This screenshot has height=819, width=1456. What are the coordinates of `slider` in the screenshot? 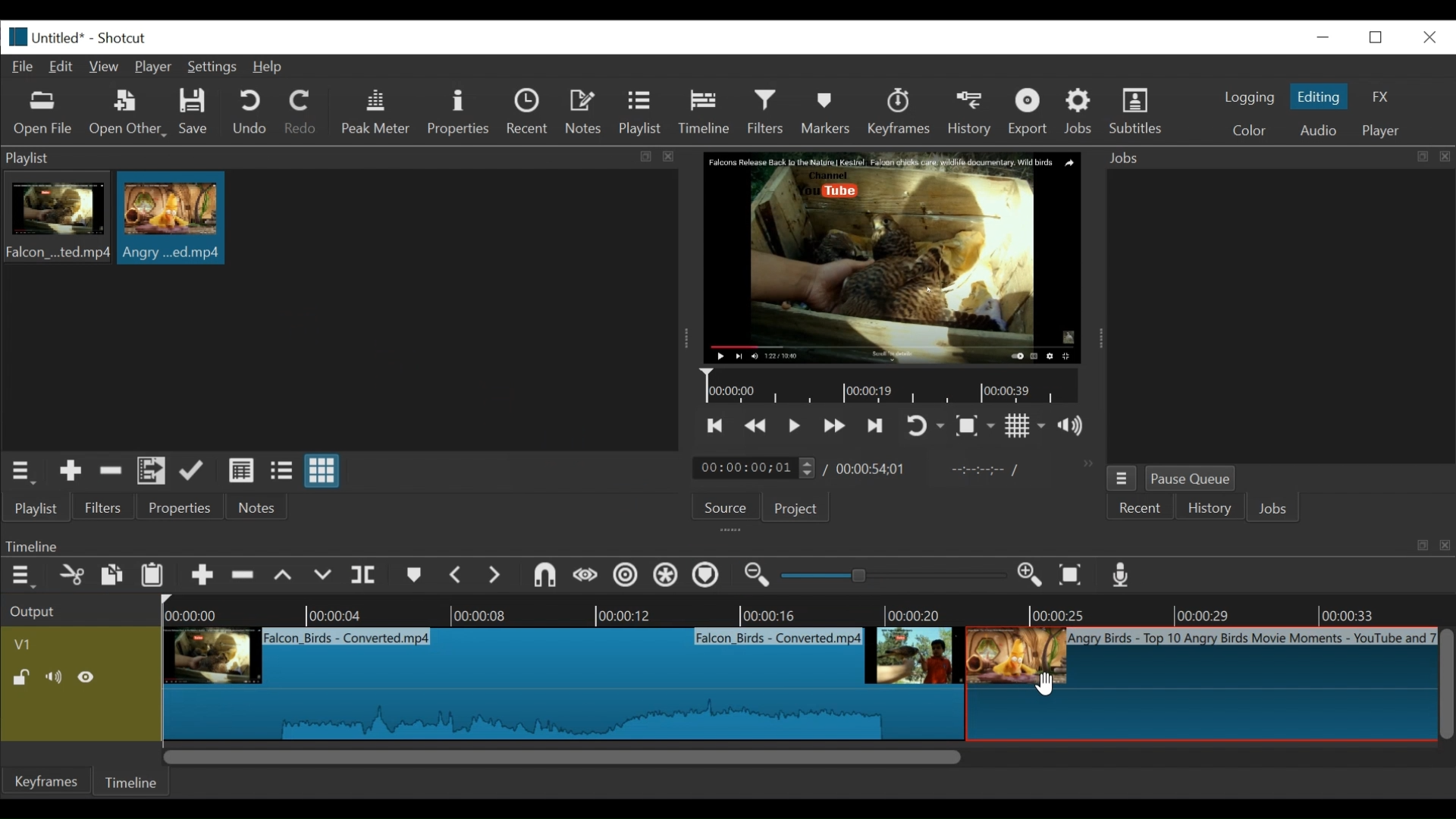 It's located at (889, 576).